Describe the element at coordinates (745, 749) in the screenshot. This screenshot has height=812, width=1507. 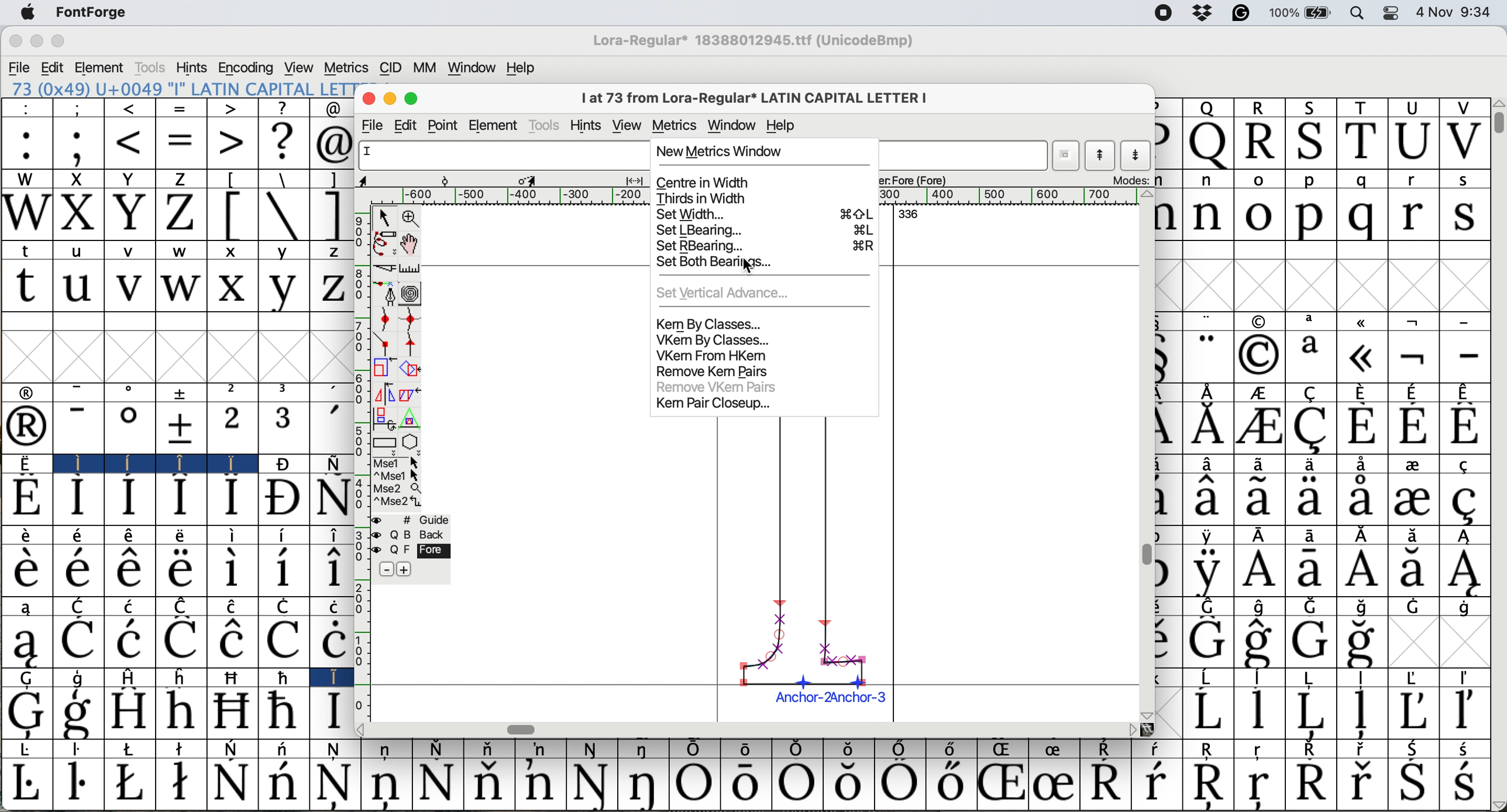
I see `Symbol` at that location.